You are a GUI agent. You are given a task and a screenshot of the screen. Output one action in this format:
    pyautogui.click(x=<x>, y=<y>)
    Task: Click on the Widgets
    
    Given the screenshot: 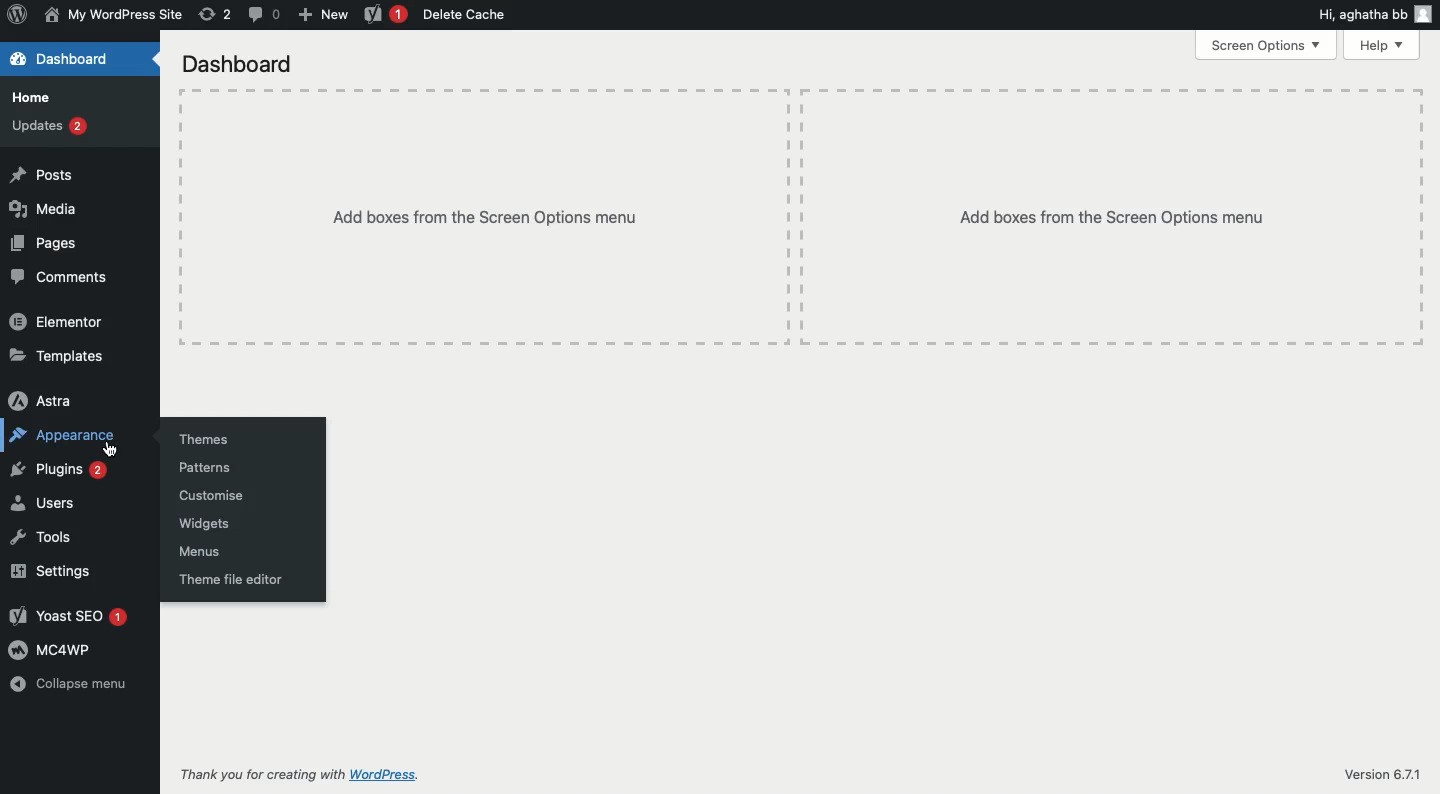 What is the action you would take?
    pyautogui.click(x=205, y=525)
    